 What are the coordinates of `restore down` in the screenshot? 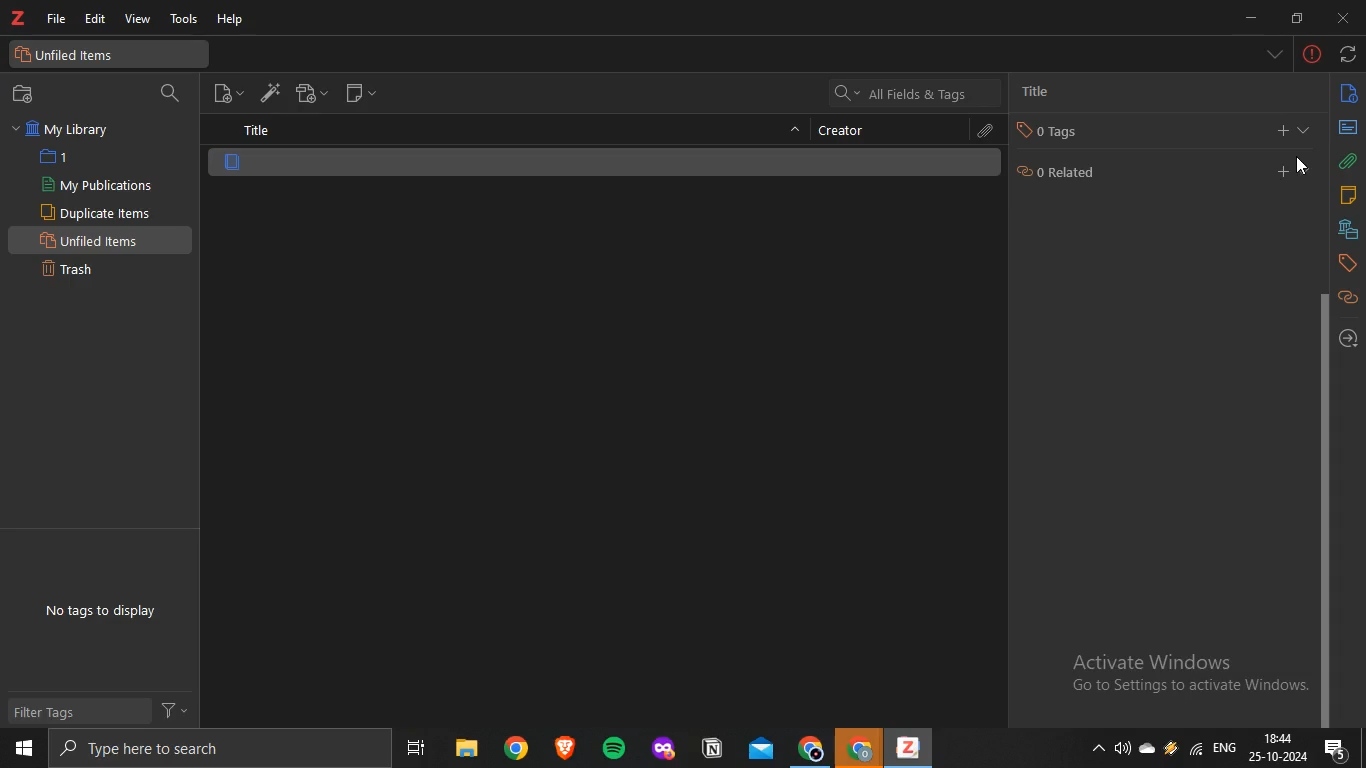 It's located at (1300, 18).